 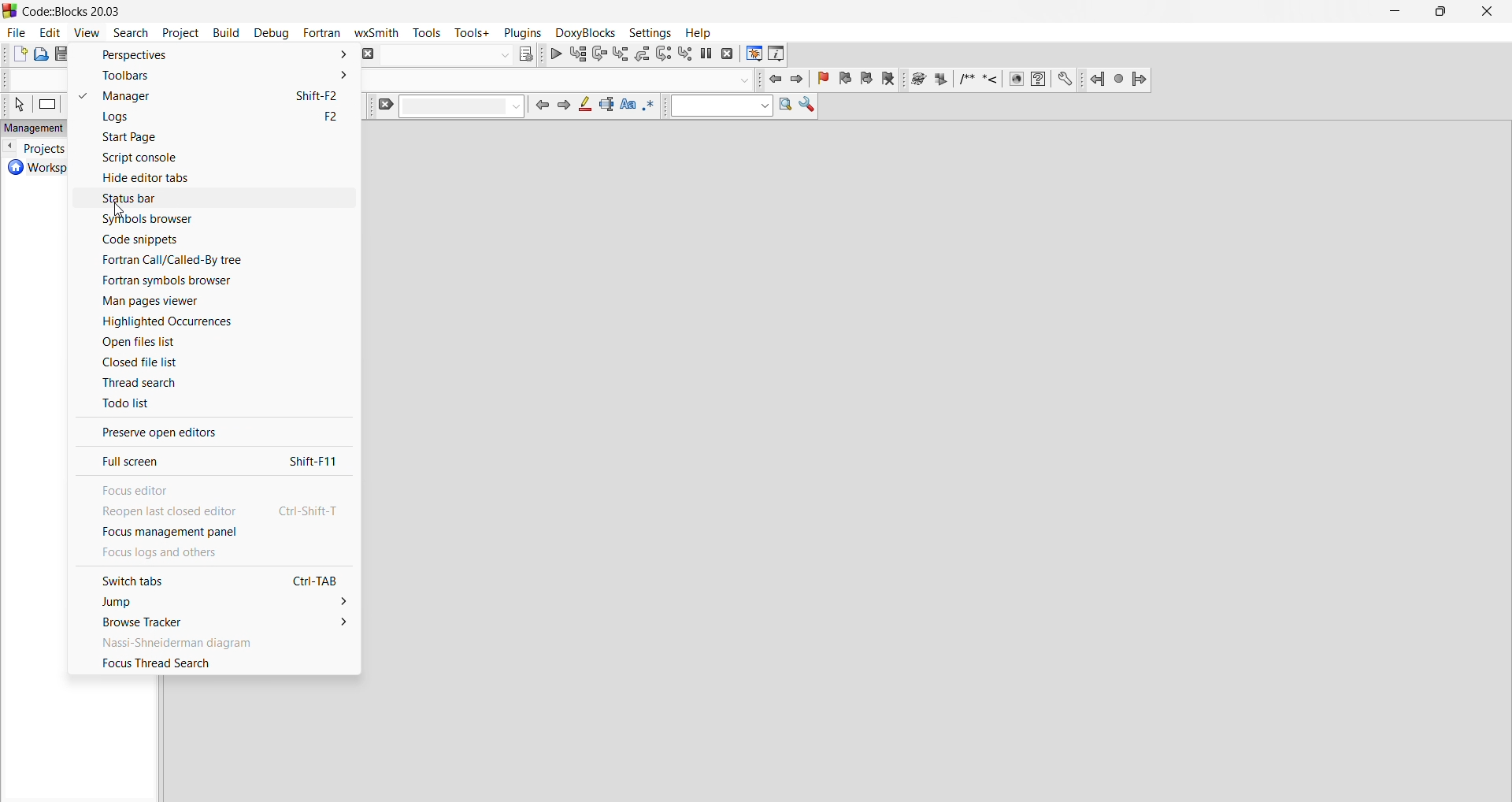 What do you see at coordinates (585, 32) in the screenshot?
I see `doxyBlocks` at bounding box center [585, 32].